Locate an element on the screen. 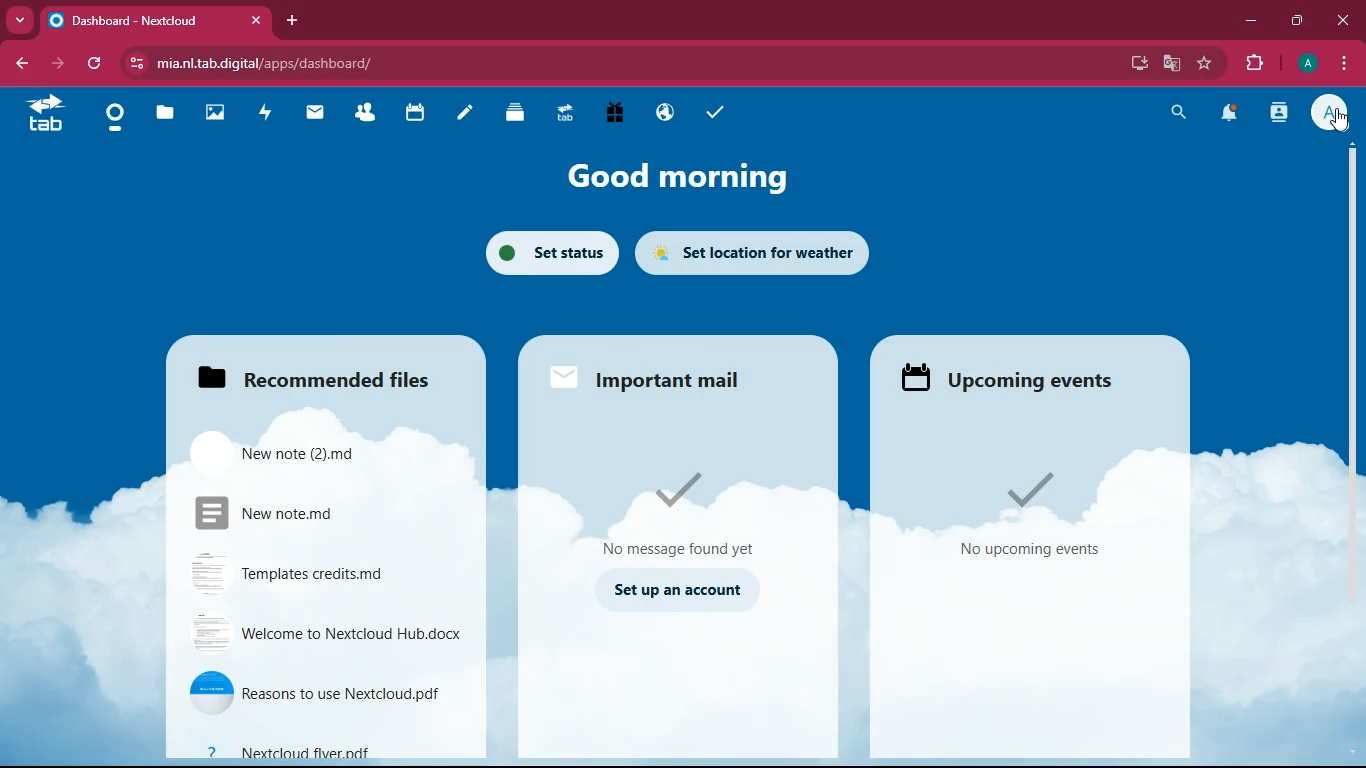 Image resolution: width=1366 pixels, height=768 pixels. google translate is located at coordinates (1170, 64).